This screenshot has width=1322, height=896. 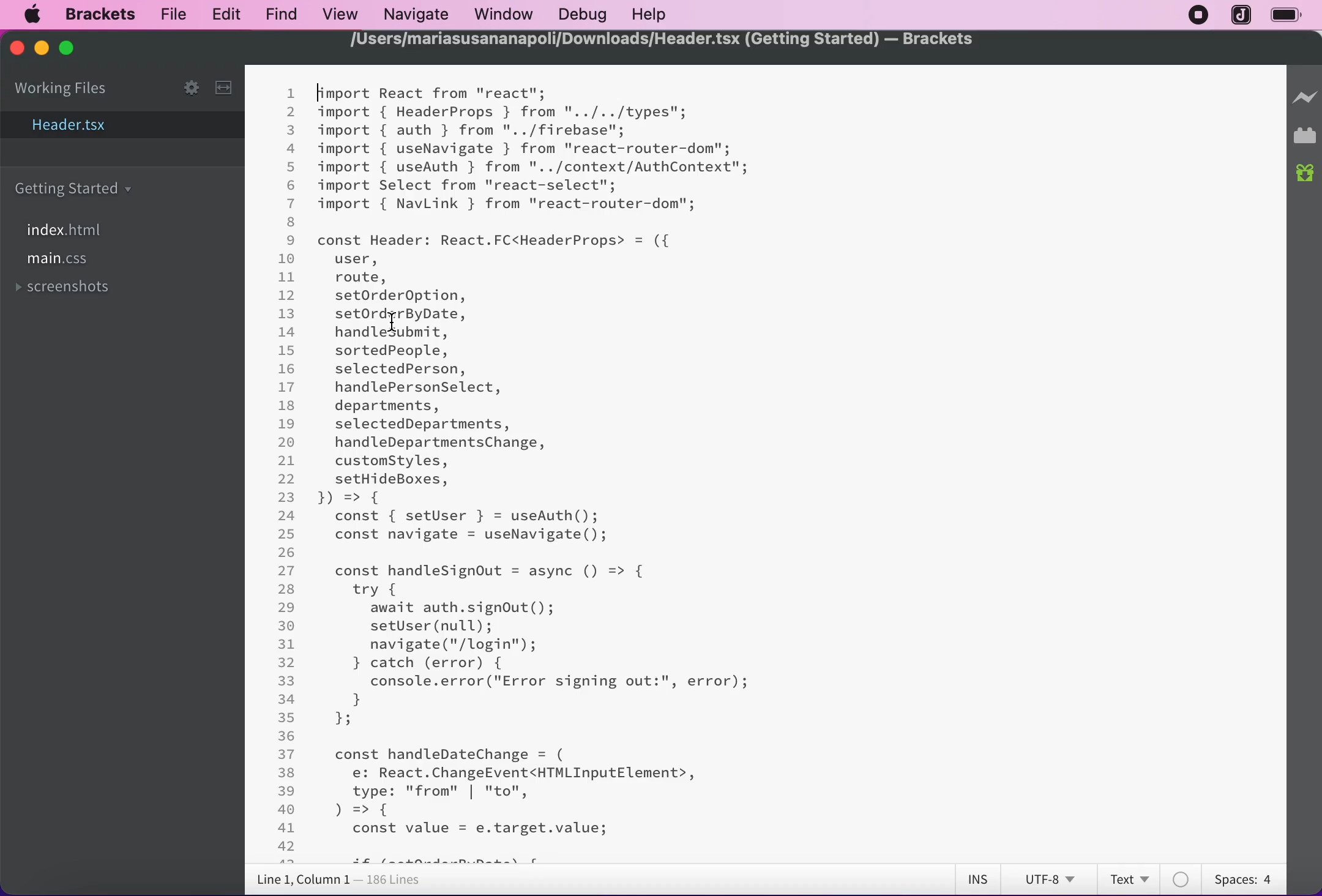 I want to click on edit, so click(x=223, y=13).